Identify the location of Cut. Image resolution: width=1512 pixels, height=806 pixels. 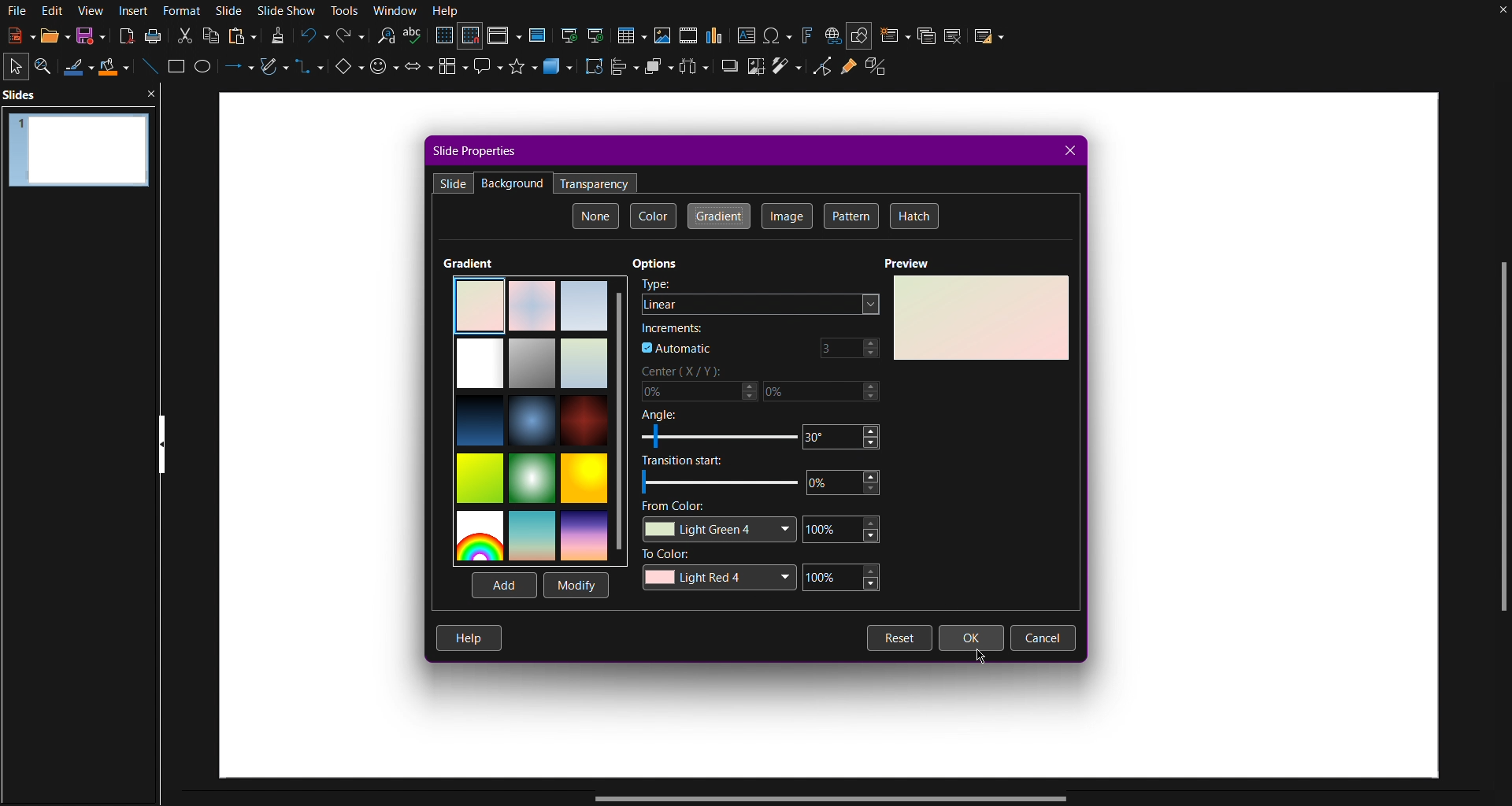
(183, 35).